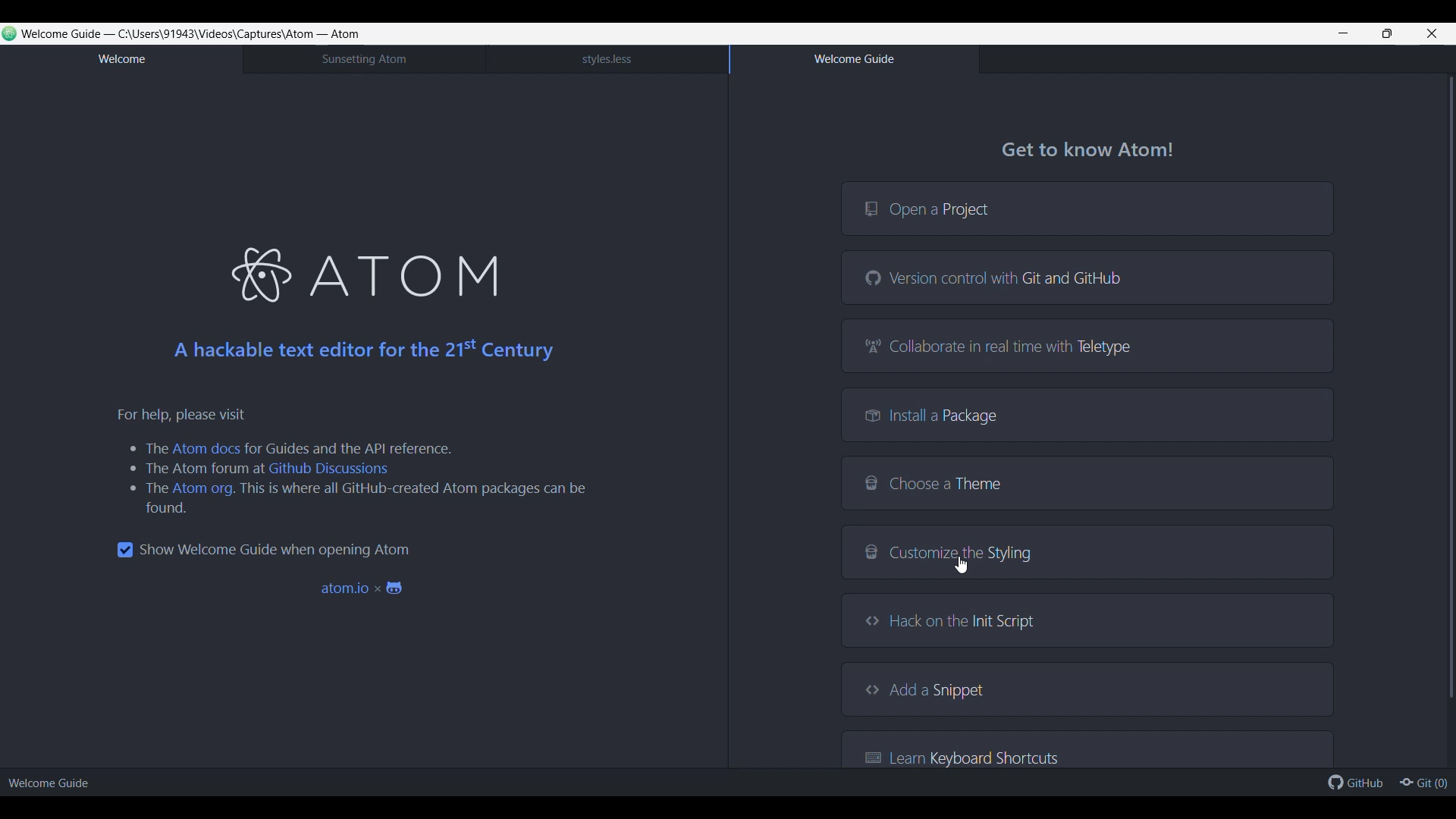 This screenshot has width=1456, height=819. What do you see at coordinates (216, 33) in the screenshot?
I see `directory path` at bounding box center [216, 33].